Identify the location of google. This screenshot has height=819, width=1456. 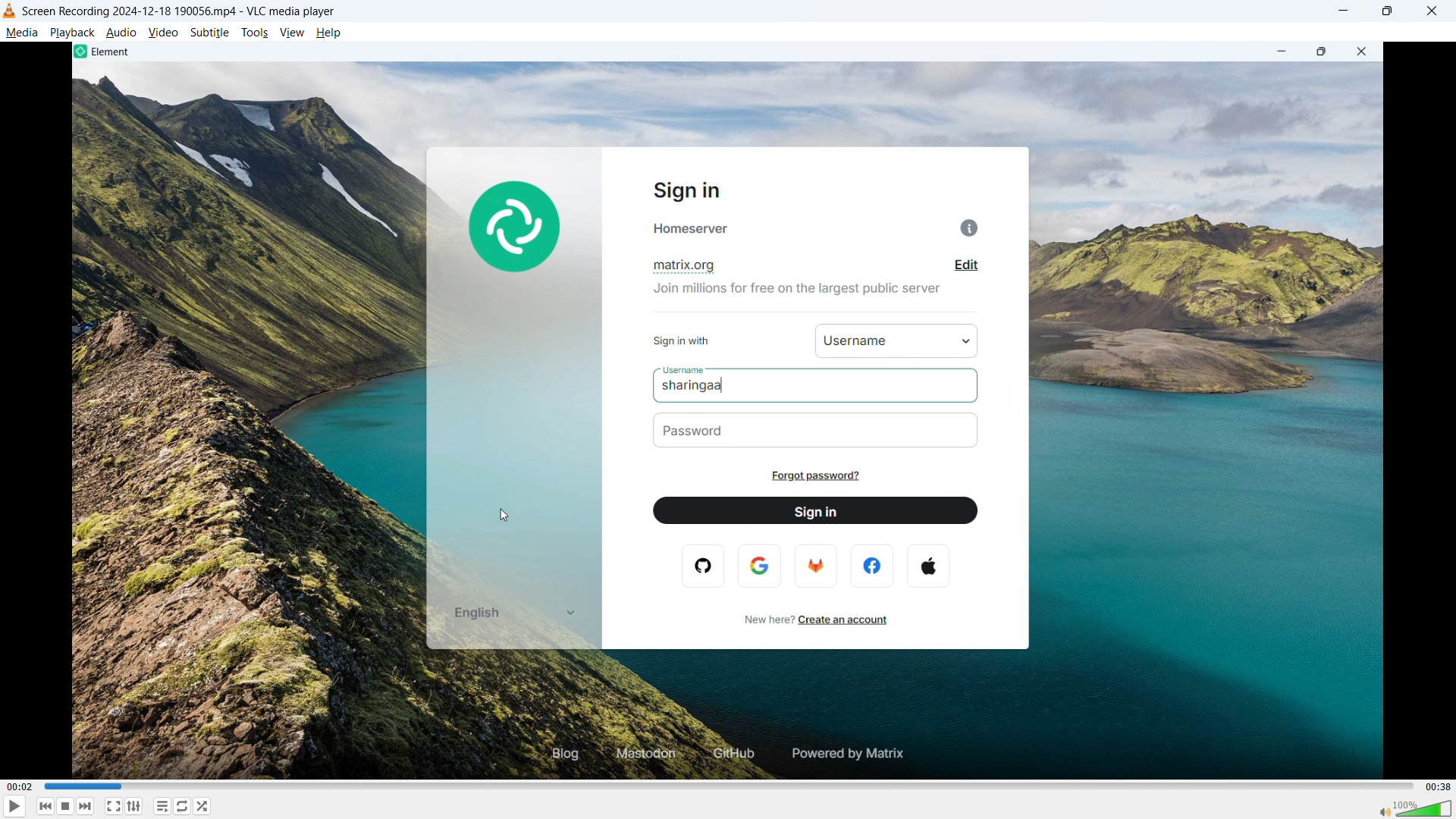
(761, 565).